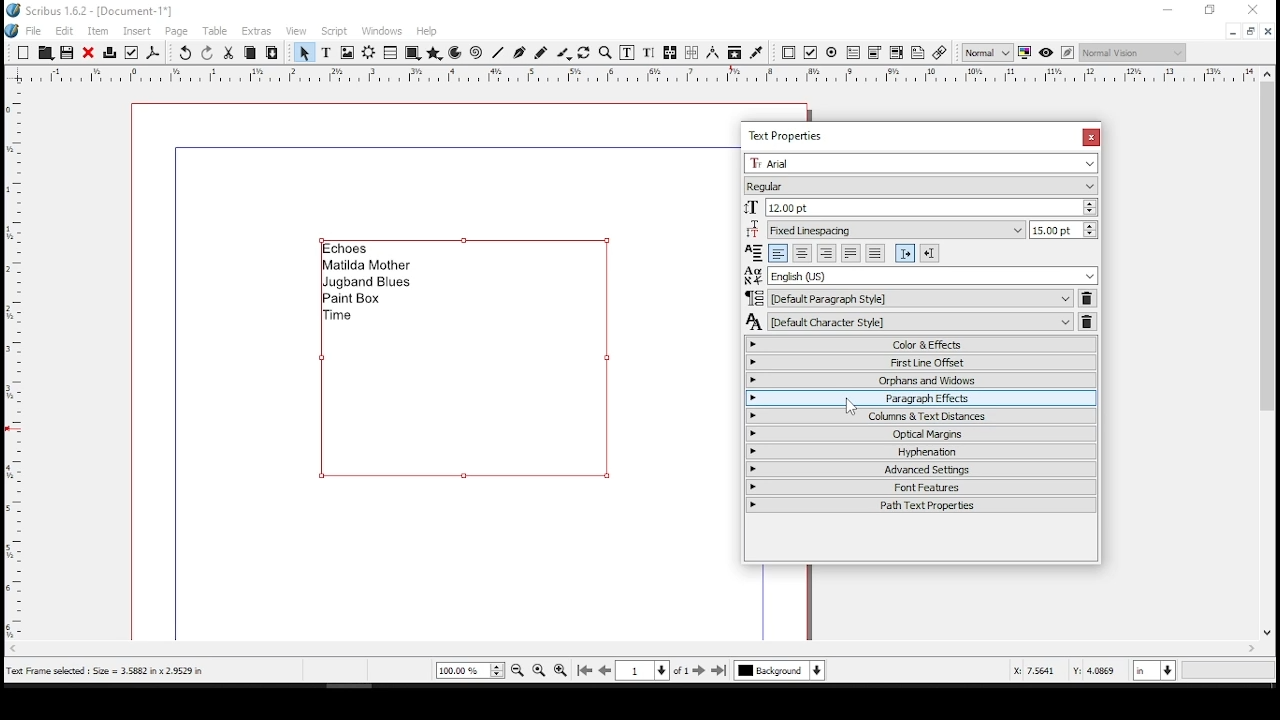 This screenshot has width=1280, height=720. Describe the element at coordinates (1089, 137) in the screenshot. I see `close window` at that location.